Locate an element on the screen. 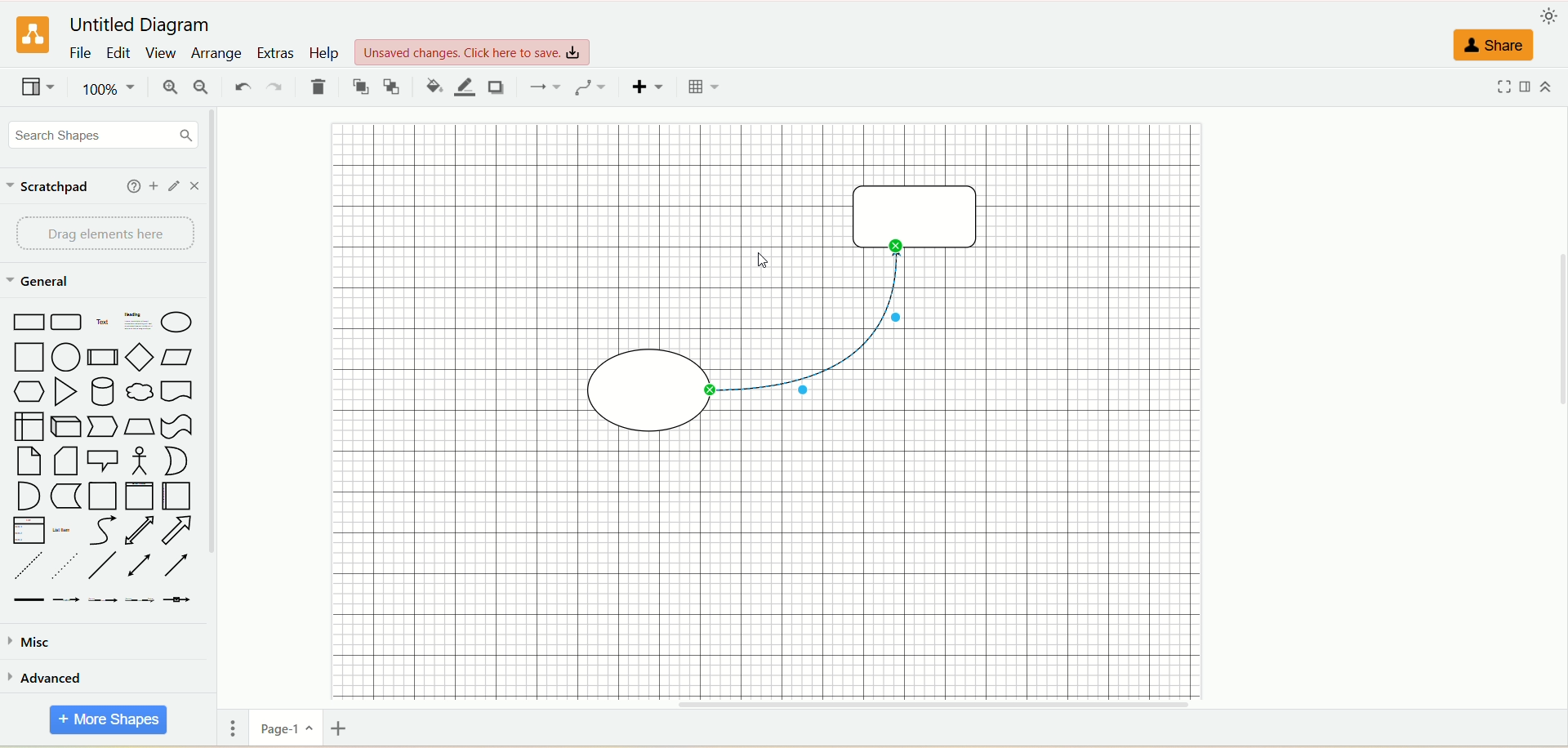  redo is located at coordinates (275, 87).